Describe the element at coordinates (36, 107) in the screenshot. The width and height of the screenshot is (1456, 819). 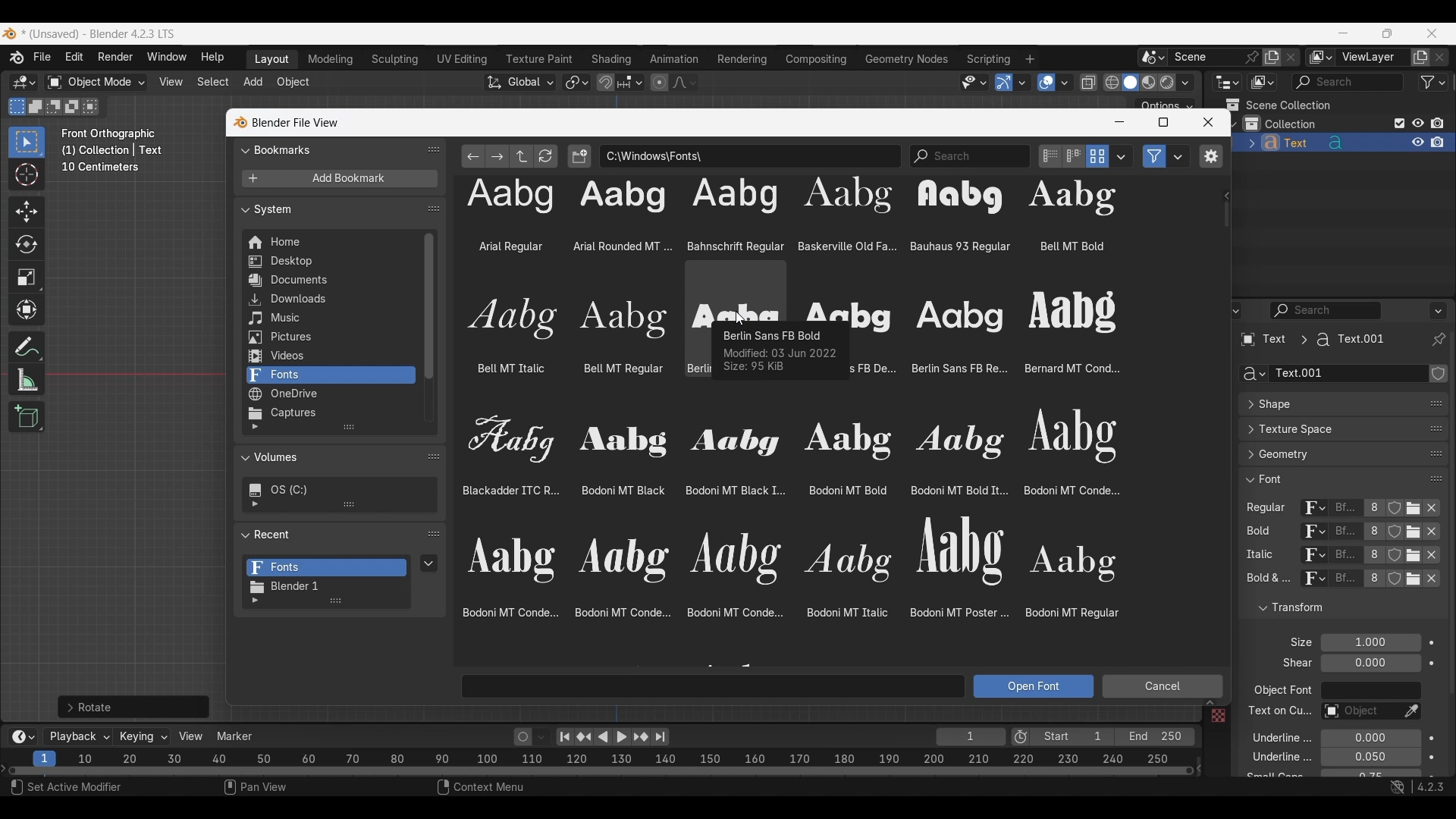
I see `Extend existing selection` at that location.